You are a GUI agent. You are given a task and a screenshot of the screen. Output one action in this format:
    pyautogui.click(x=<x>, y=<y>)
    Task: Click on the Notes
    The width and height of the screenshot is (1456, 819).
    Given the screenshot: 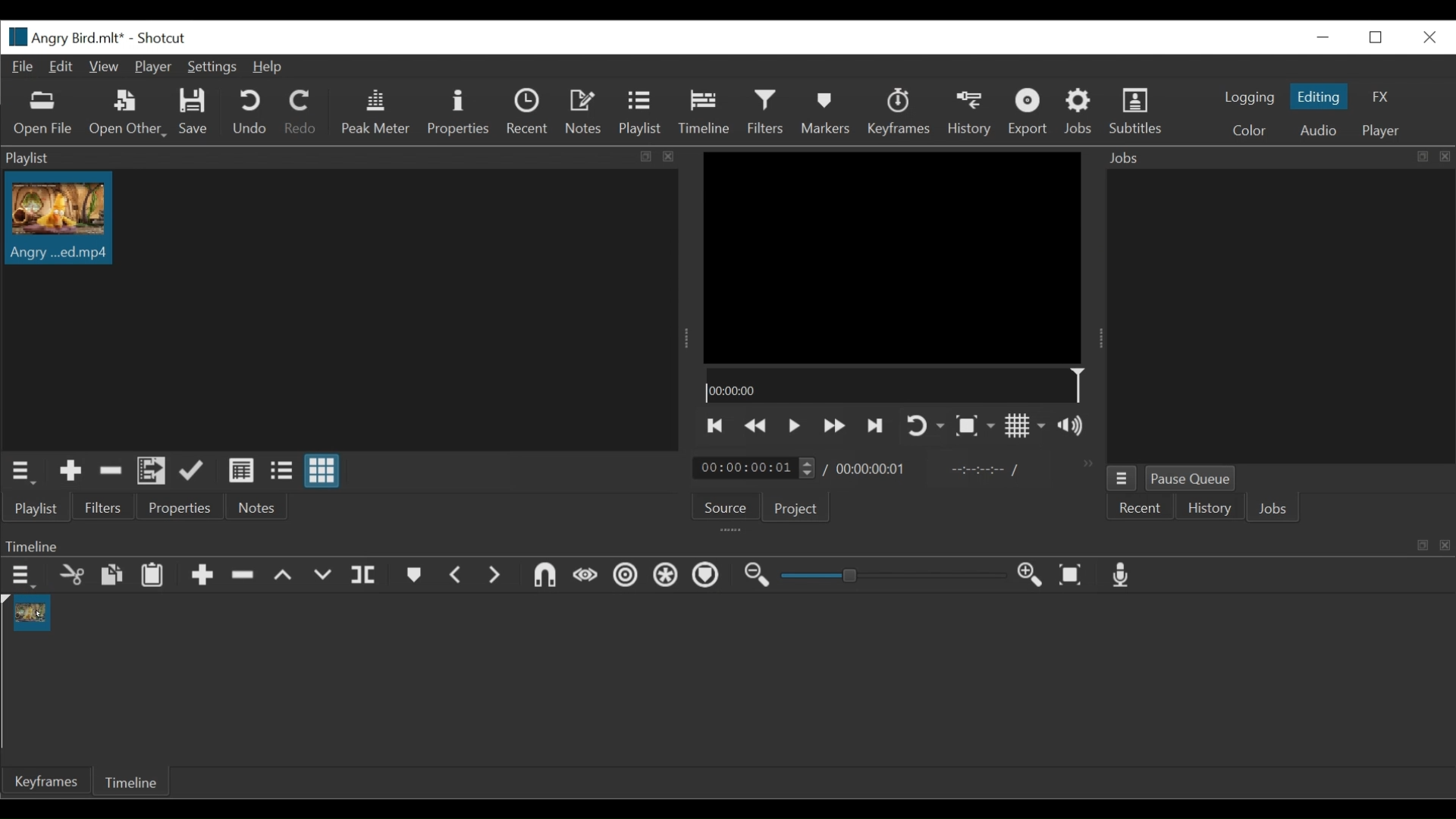 What is the action you would take?
    pyautogui.click(x=254, y=507)
    